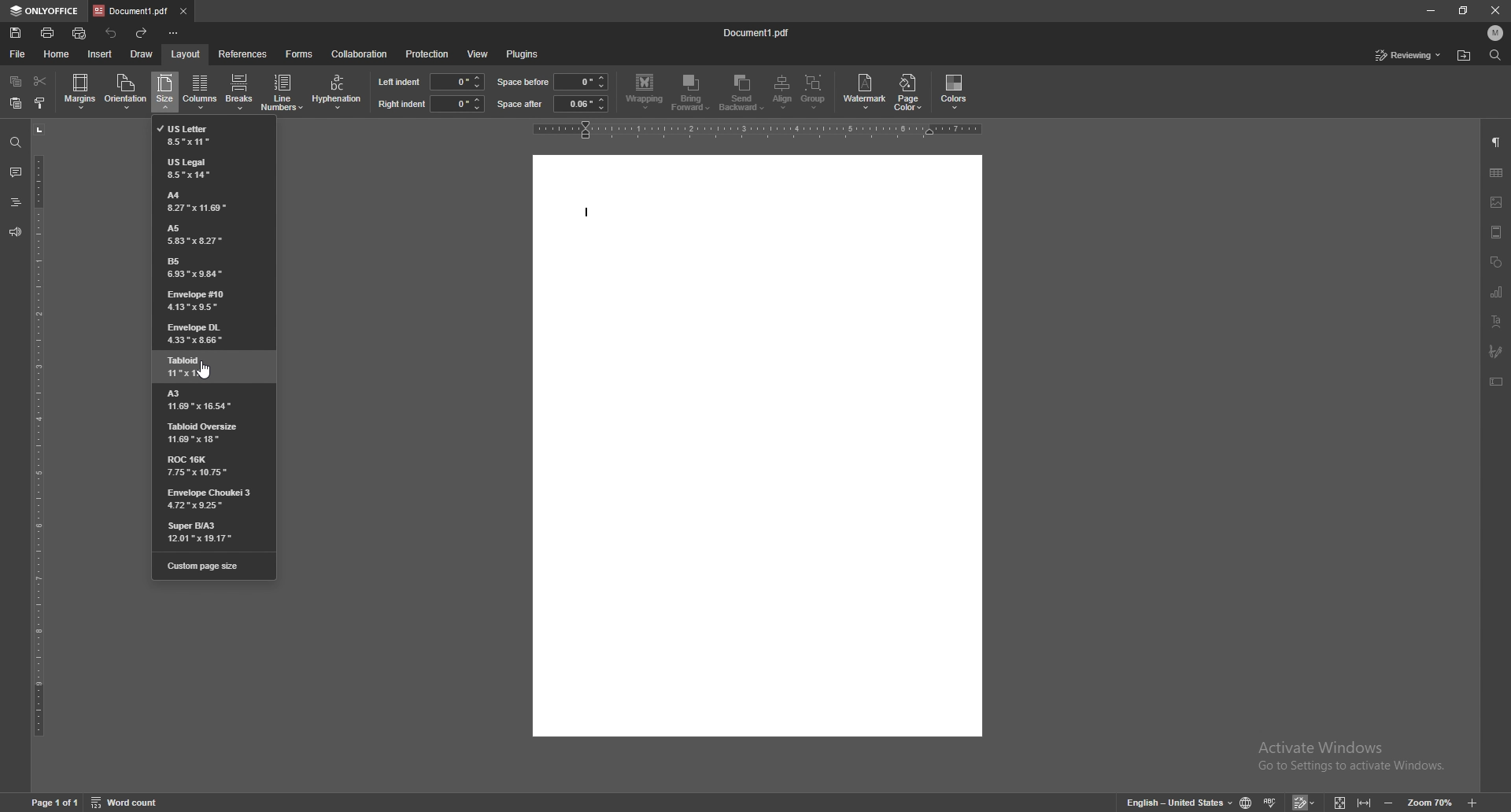 Image resolution: width=1511 pixels, height=812 pixels. What do you see at coordinates (1389, 803) in the screenshot?
I see `zoom out` at bounding box center [1389, 803].